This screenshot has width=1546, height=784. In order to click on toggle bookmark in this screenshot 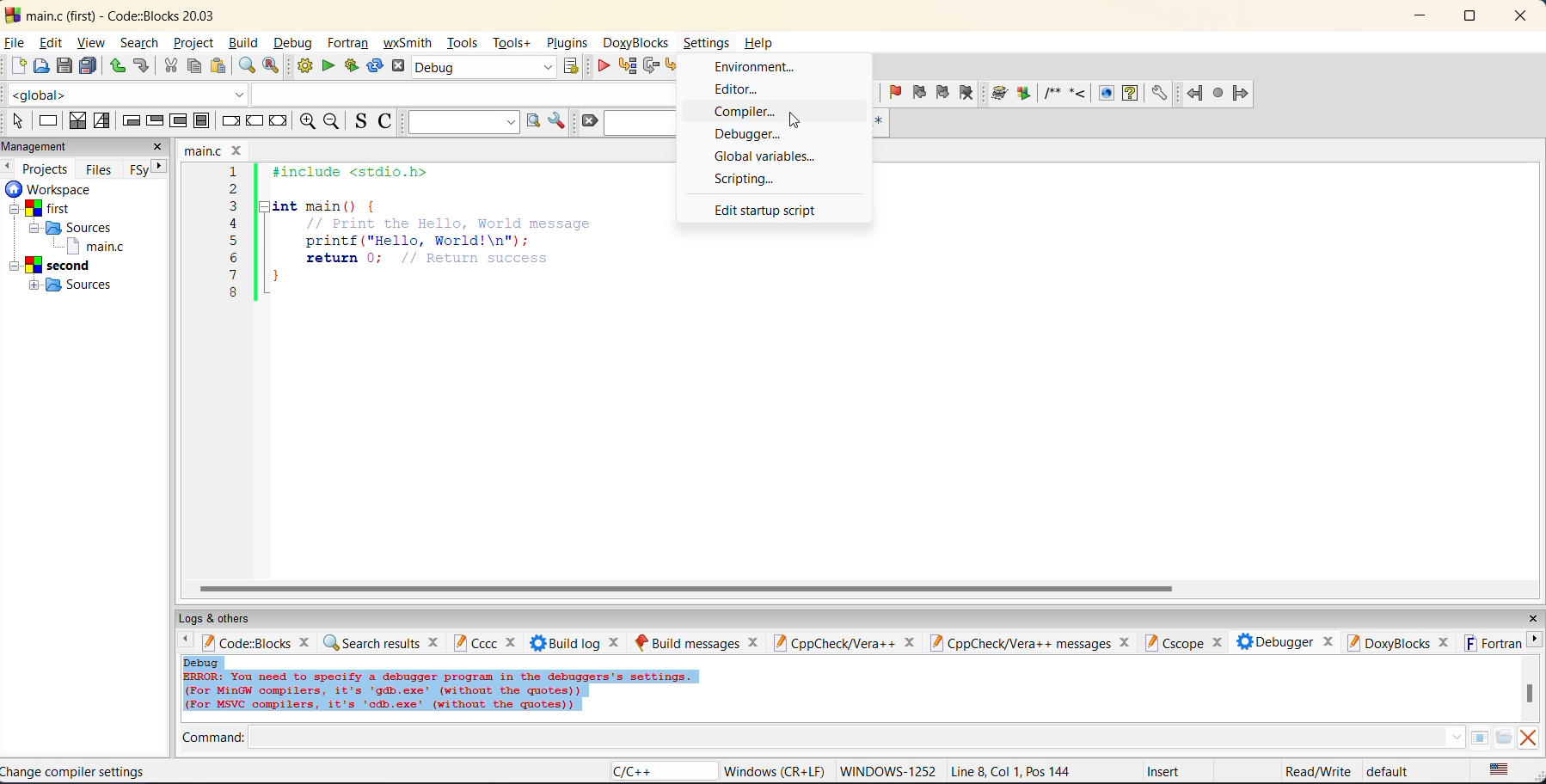, I will do `click(895, 93)`.